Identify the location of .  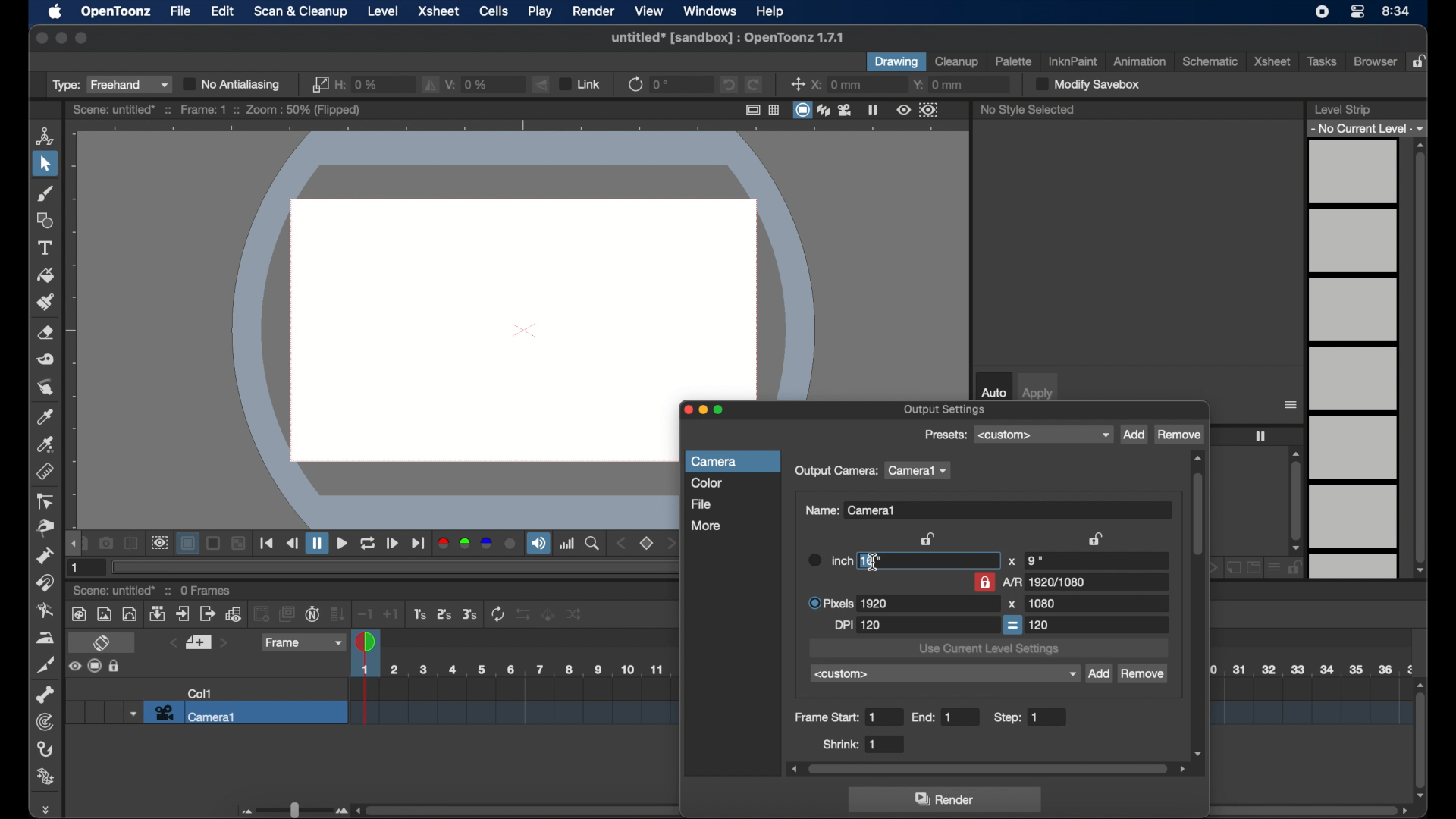
(444, 611).